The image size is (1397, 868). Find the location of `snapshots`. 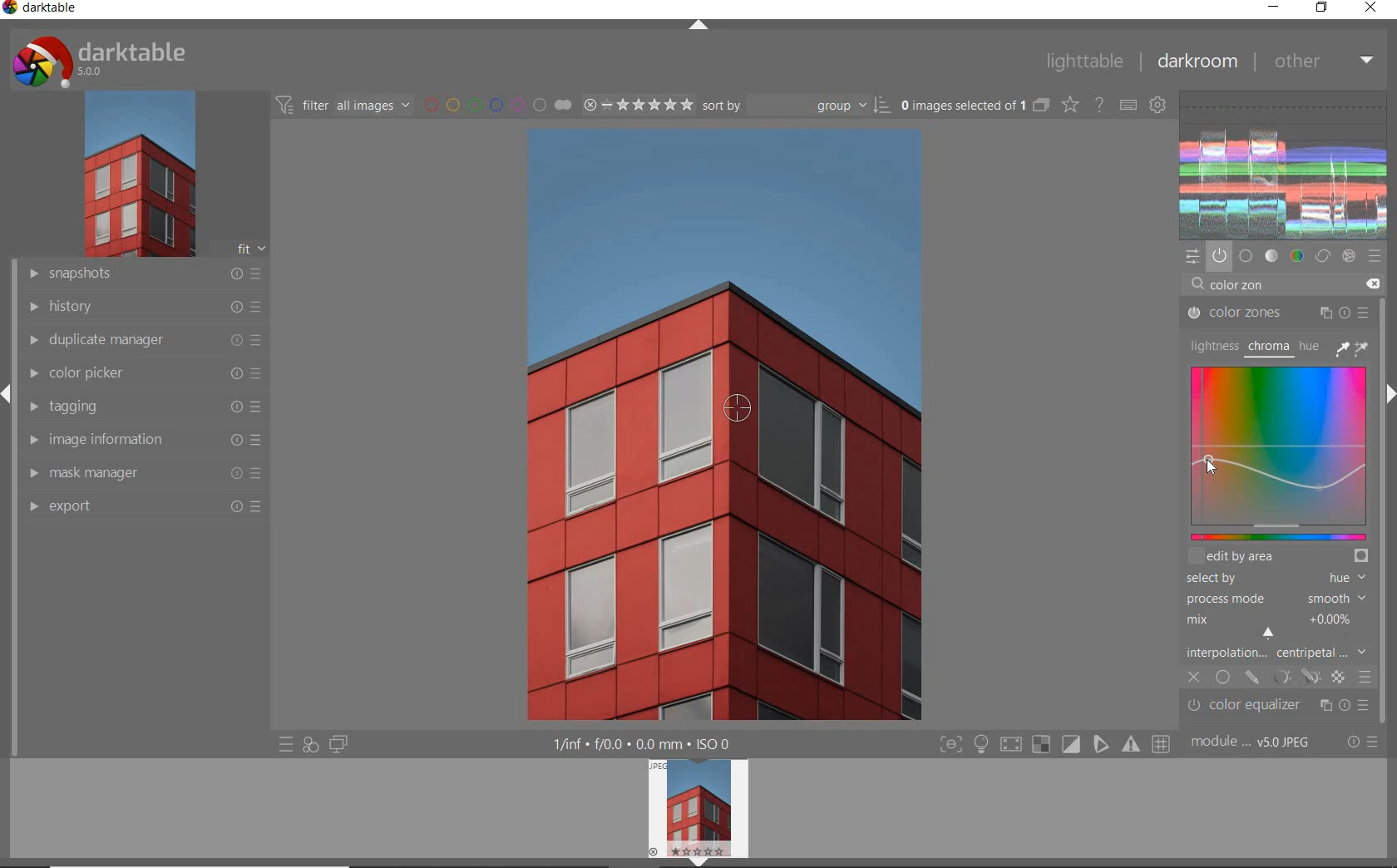

snapshots is located at coordinates (141, 276).